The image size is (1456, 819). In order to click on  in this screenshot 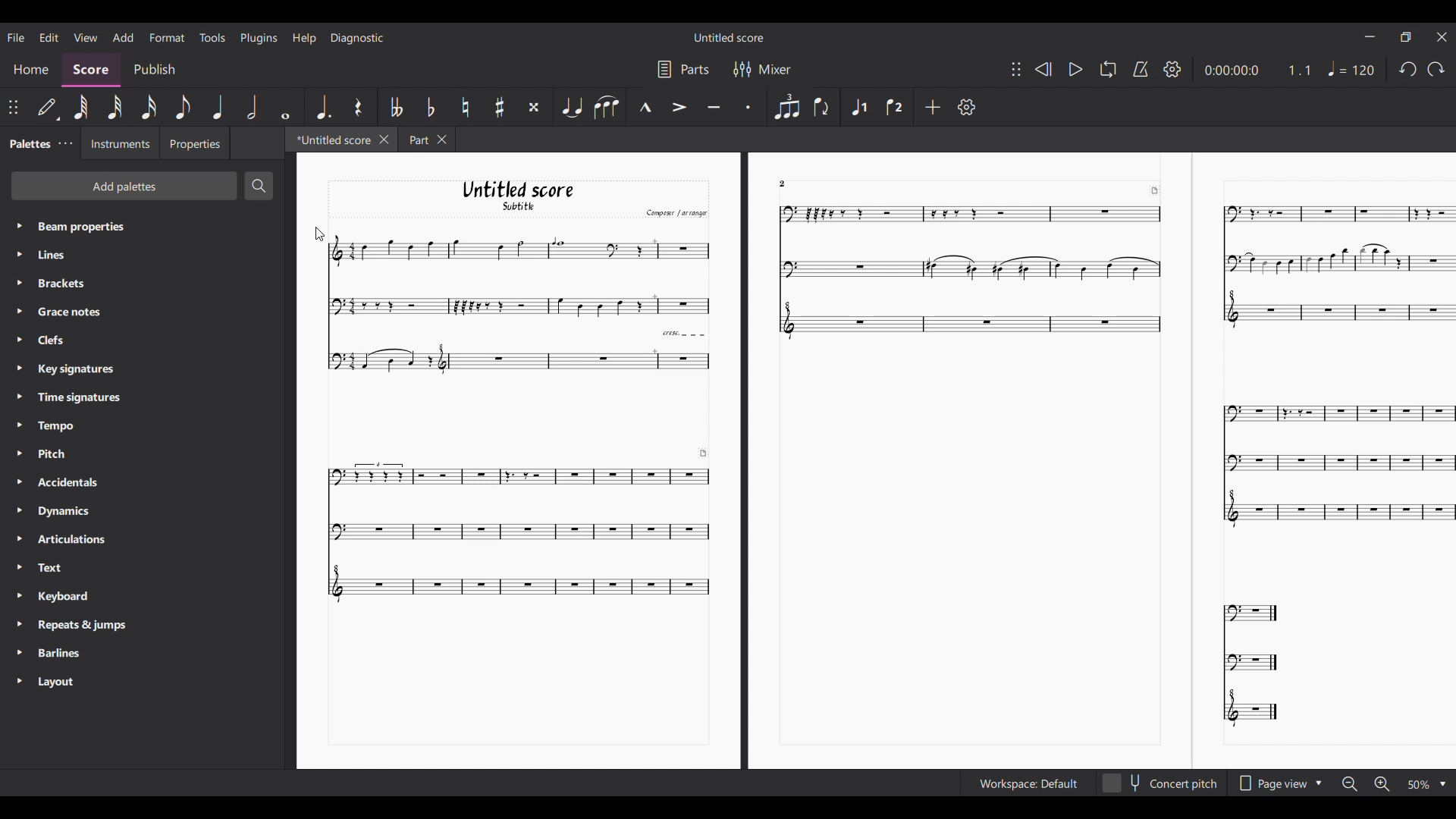, I will do `click(1337, 511)`.